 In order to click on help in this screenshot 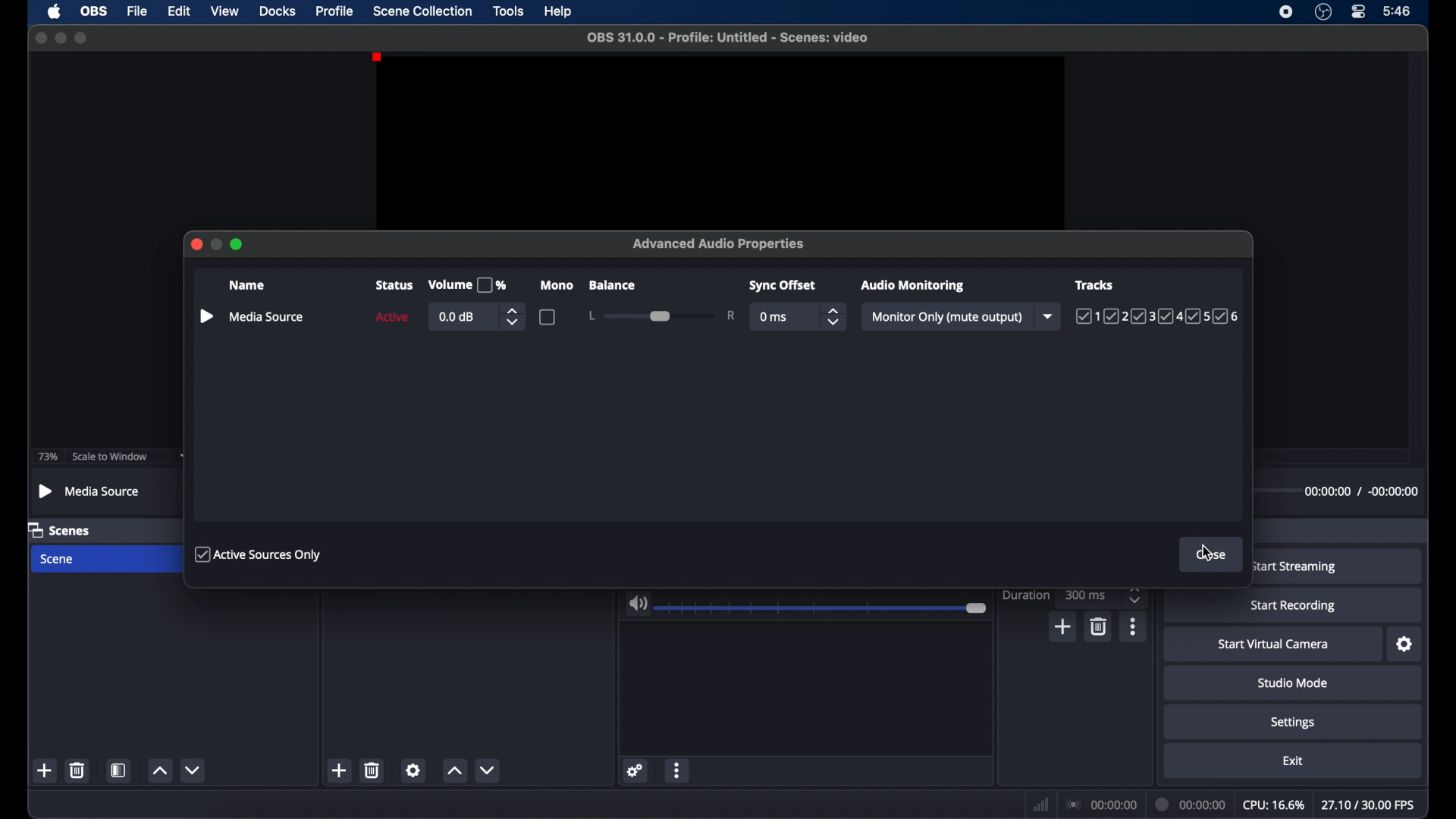, I will do `click(560, 11)`.